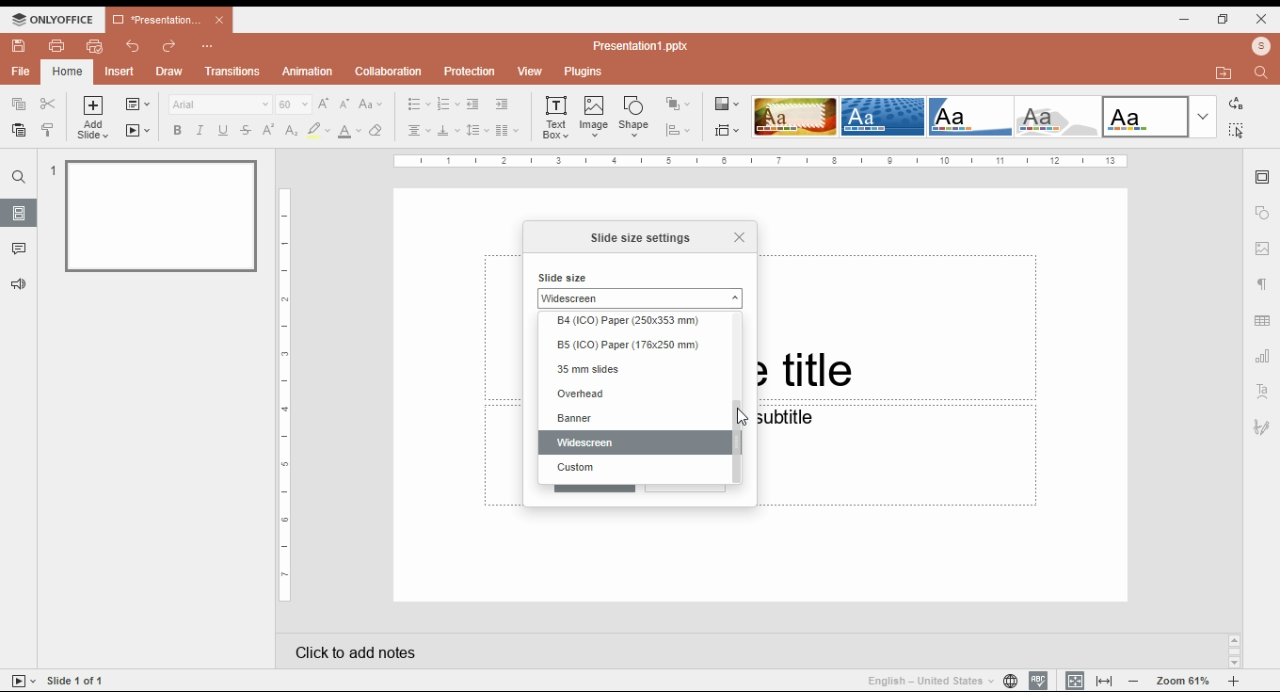 The height and width of the screenshot is (692, 1280). What do you see at coordinates (632, 442) in the screenshot?
I see `Widescreen` at bounding box center [632, 442].